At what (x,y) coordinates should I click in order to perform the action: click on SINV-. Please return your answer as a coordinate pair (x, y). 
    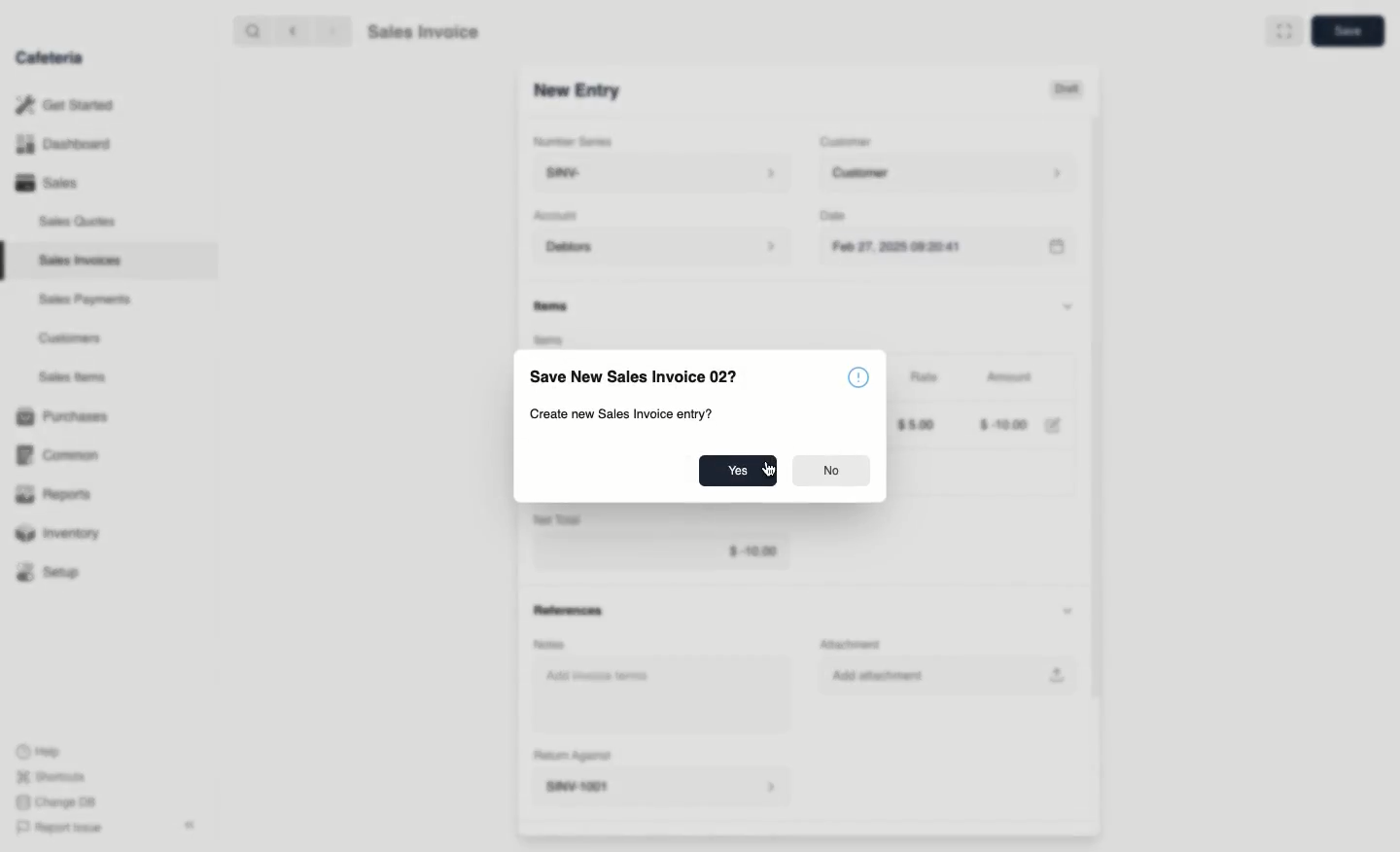
    Looking at the image, I should click on (660, 173).